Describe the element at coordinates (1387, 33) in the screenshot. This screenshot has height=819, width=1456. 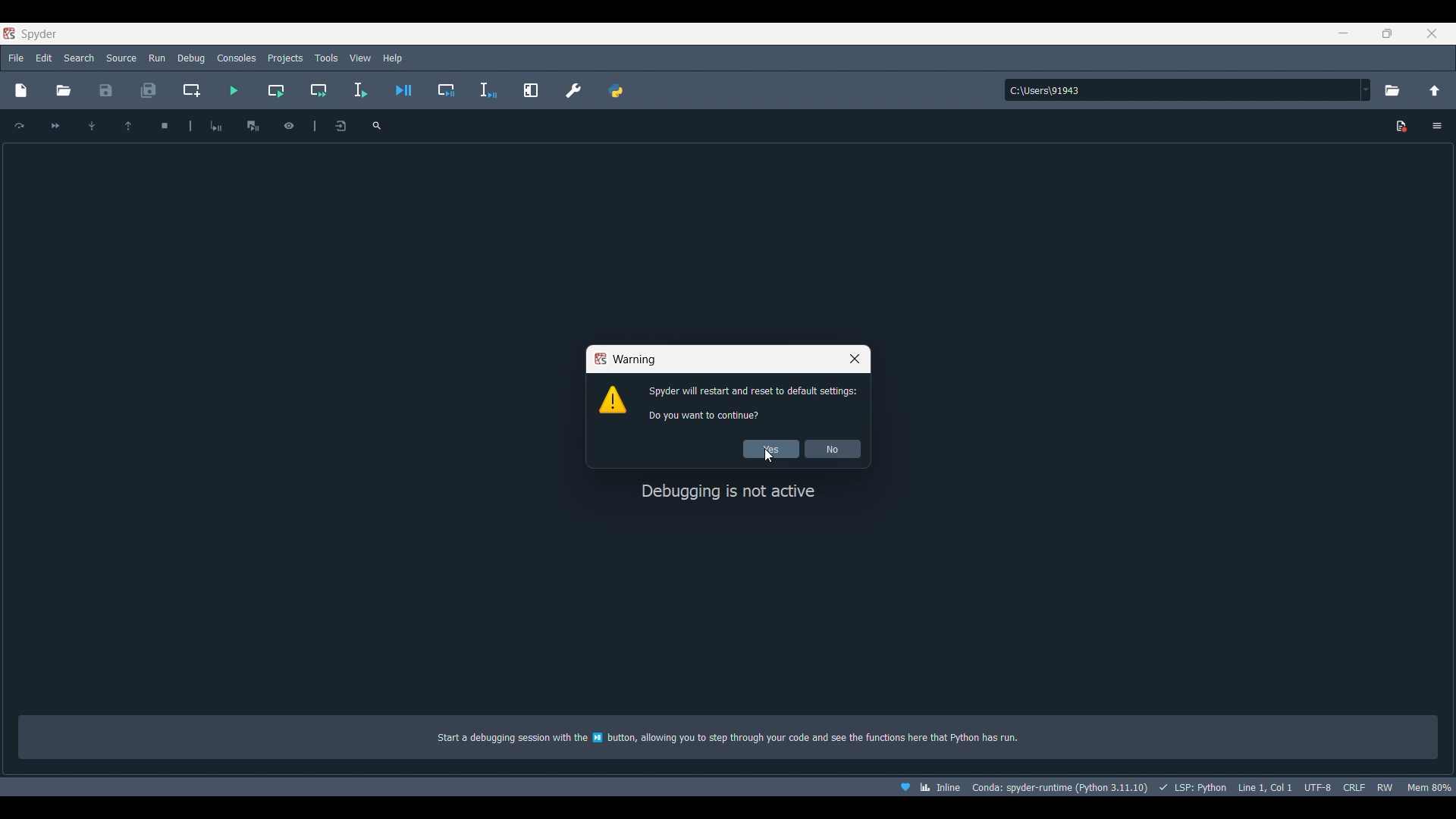
I see `Show in smaller tab` at that location.